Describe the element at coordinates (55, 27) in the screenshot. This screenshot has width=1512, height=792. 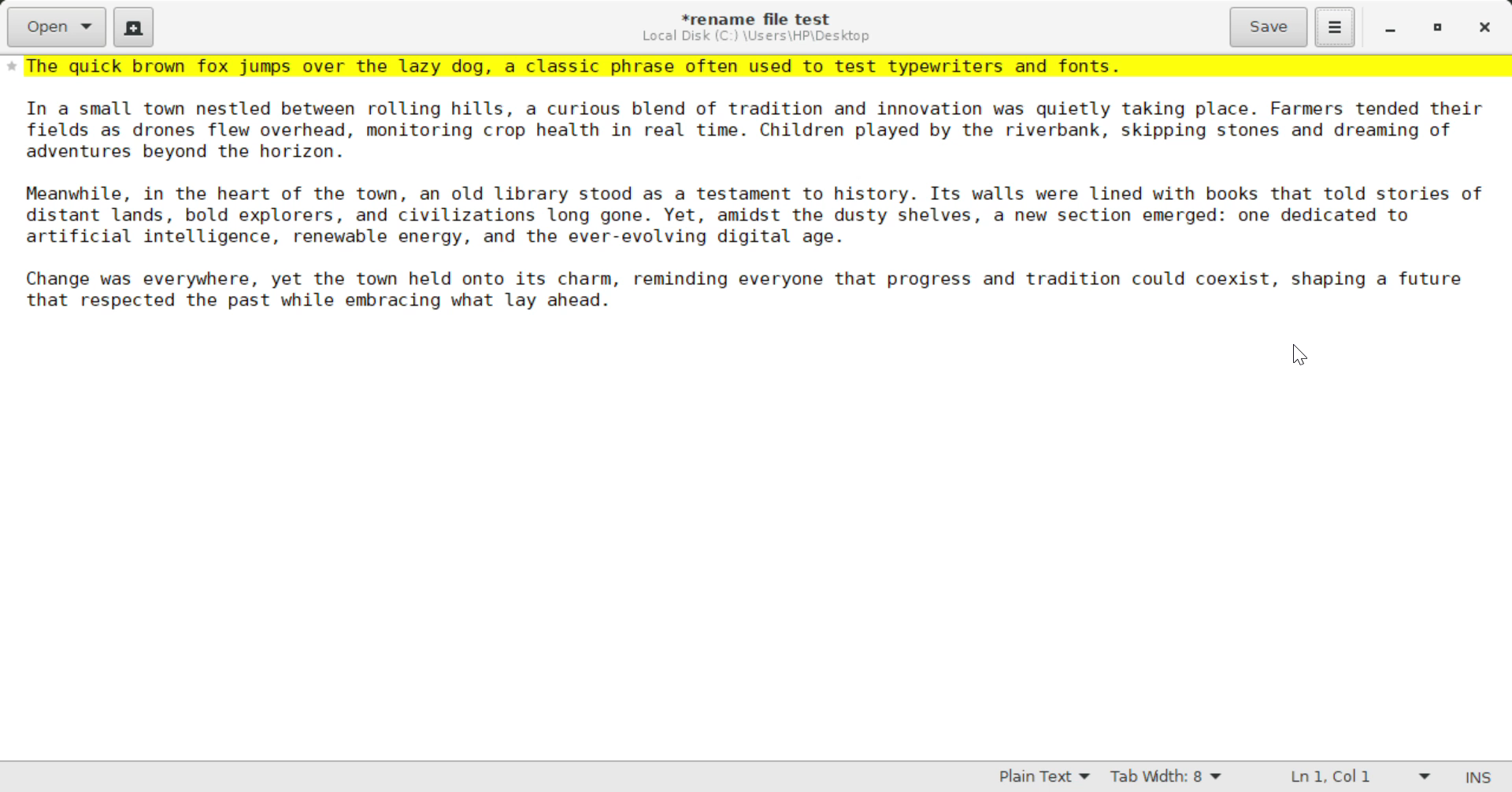
I see `Open Document` at that location.